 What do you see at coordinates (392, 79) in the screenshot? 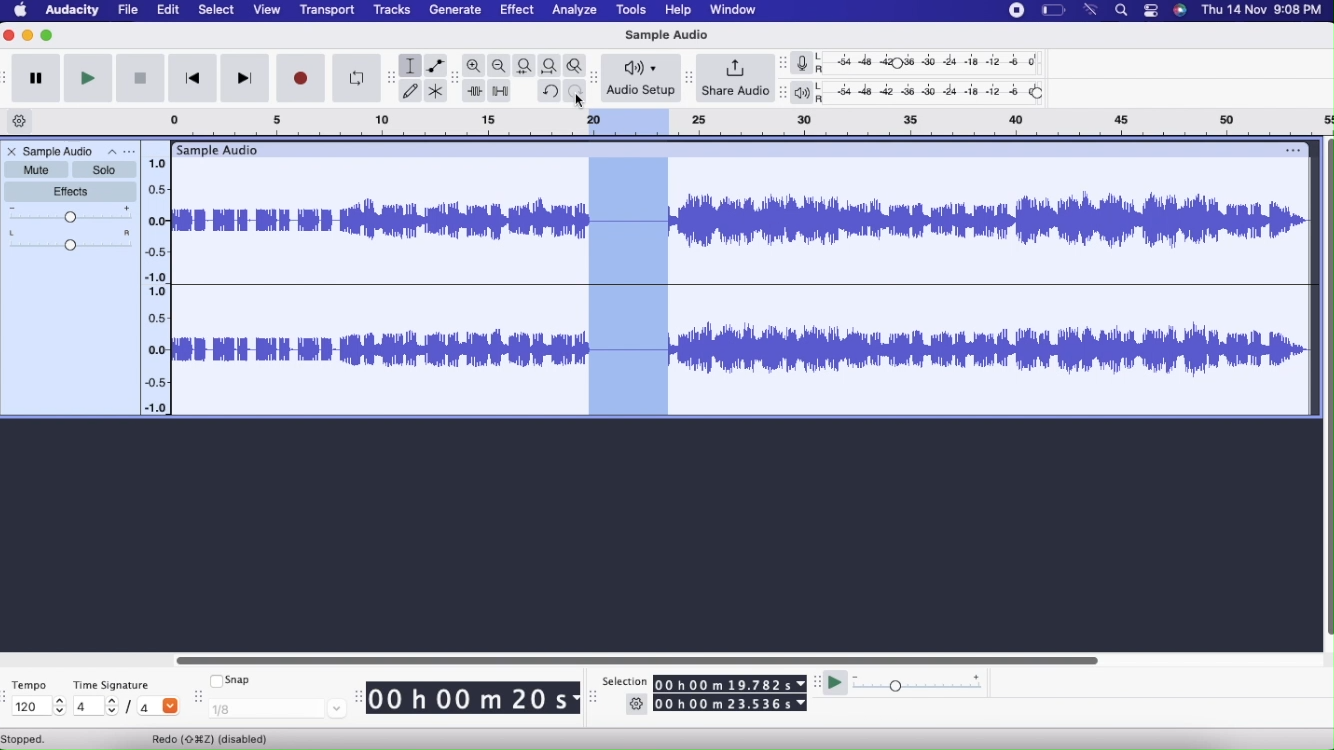
I see `move toolbar` at bounding box center [392, 79].